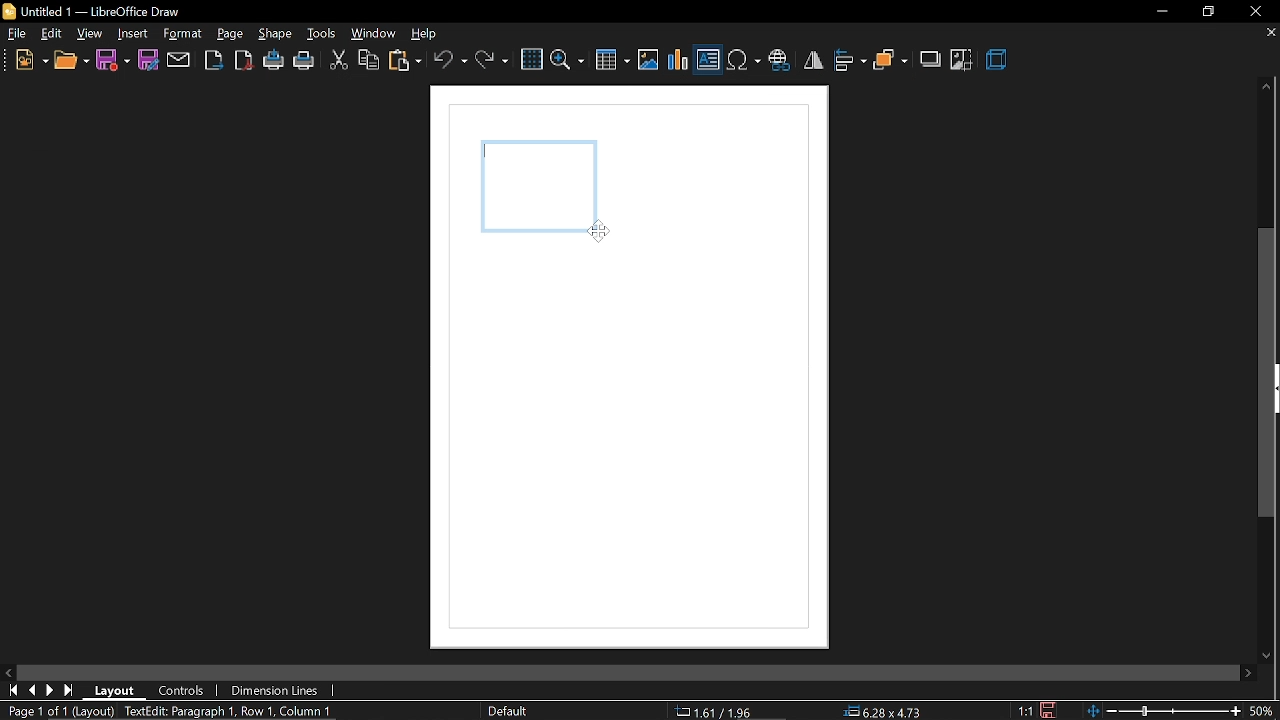 The height and width of the screenshot is (720, 1280). What do you see at coordinates (71, 63) in the screenshot?
I see `open` at bounding box center [71, 63].